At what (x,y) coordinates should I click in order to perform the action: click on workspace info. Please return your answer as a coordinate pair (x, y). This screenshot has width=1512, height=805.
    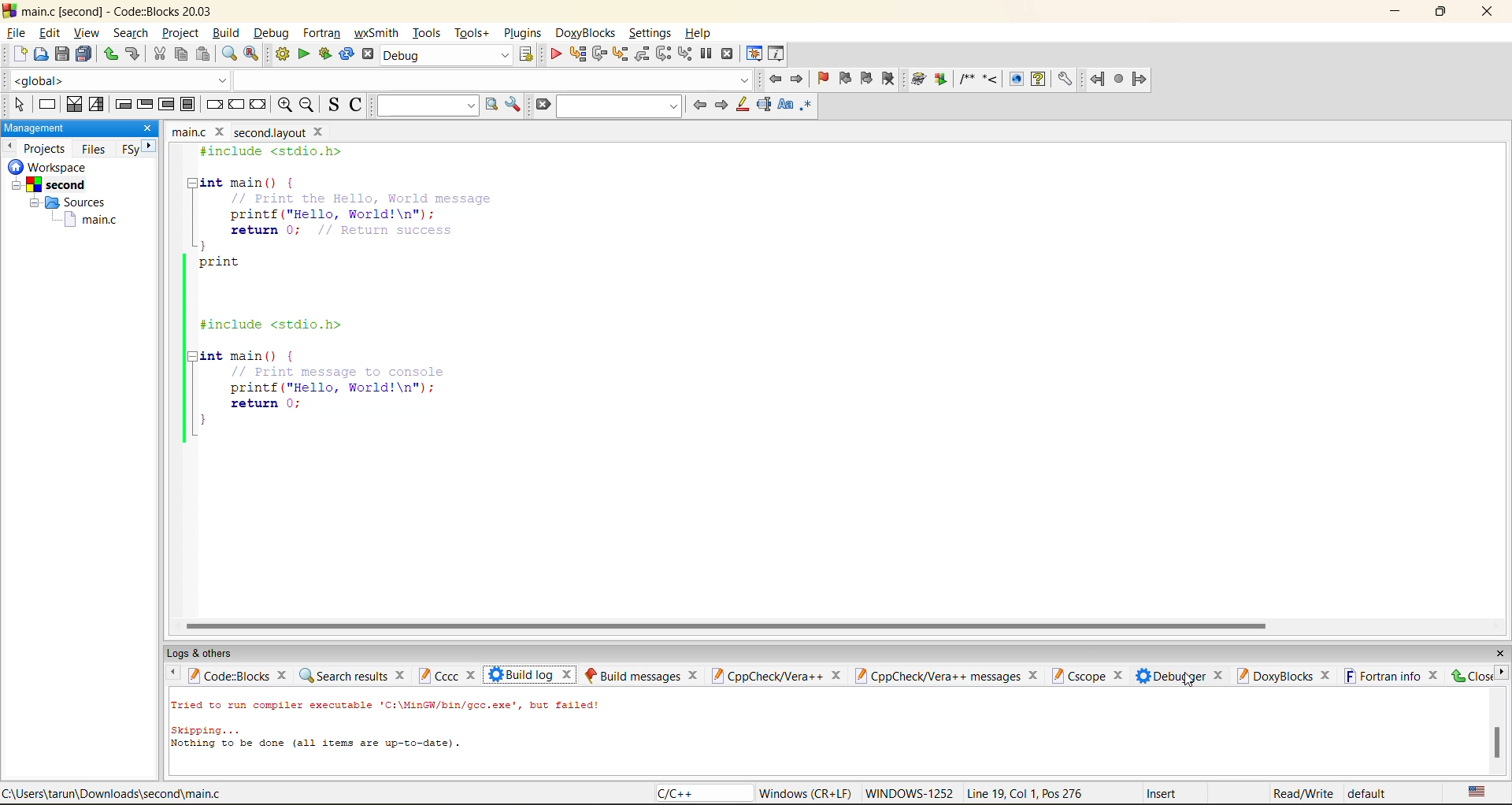
    Looking at the image, I should click on (67, 200).